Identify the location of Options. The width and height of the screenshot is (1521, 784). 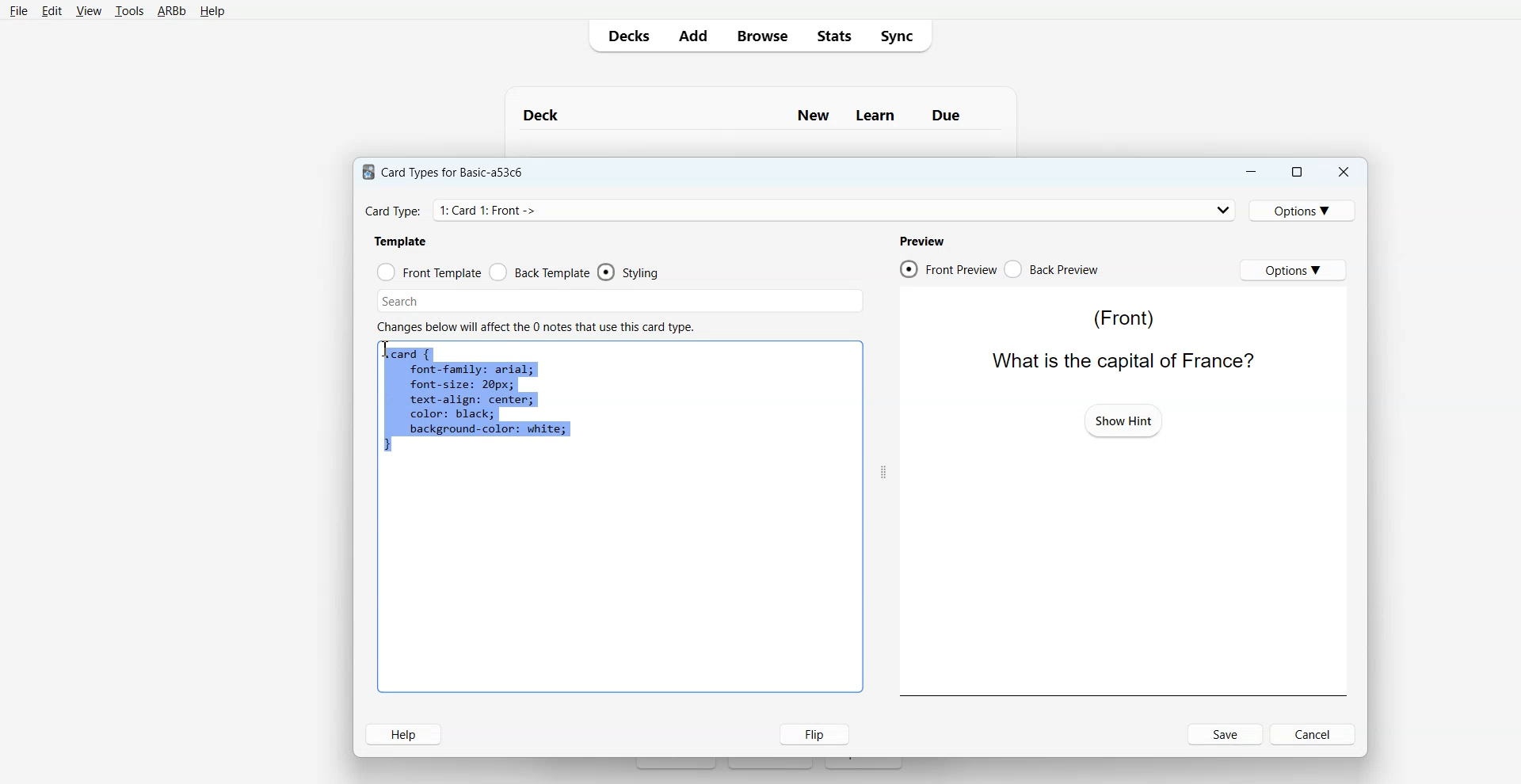
(1305, 210).